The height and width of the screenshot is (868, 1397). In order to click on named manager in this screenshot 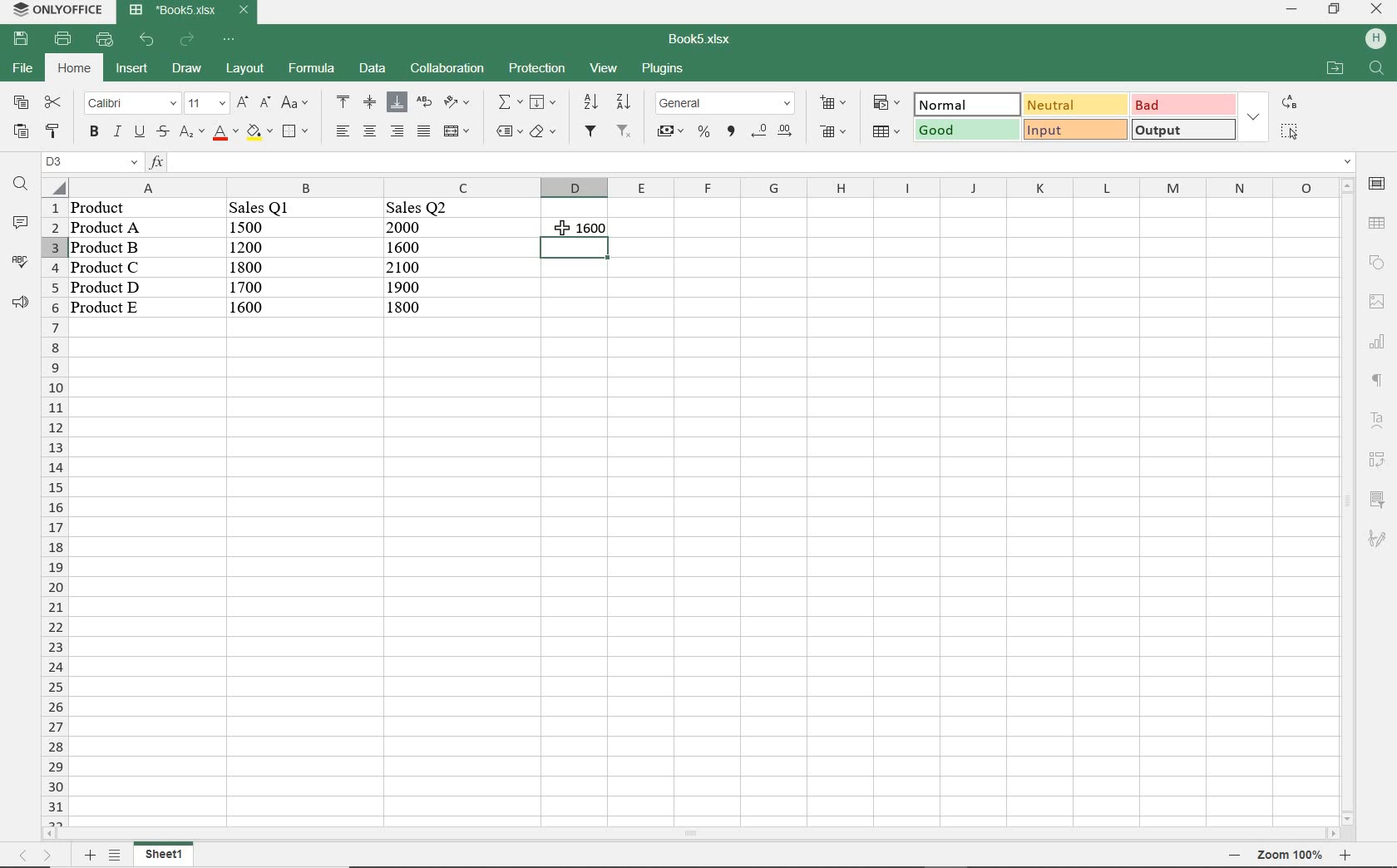, I will do `click(91, 162)`.